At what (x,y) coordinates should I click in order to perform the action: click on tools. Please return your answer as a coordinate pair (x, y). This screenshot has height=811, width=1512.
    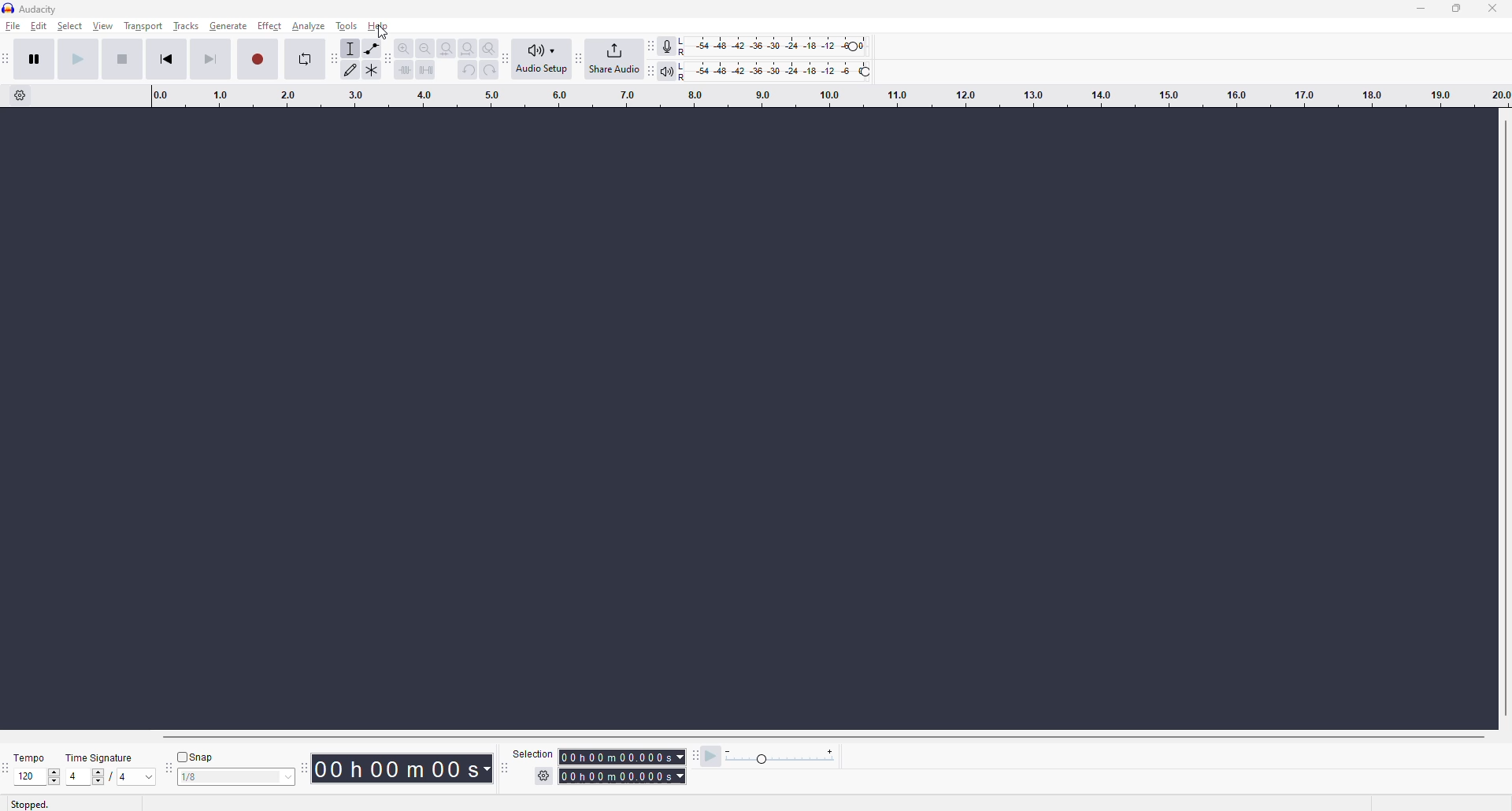
    Looking at the image, I should click on (345, 28).